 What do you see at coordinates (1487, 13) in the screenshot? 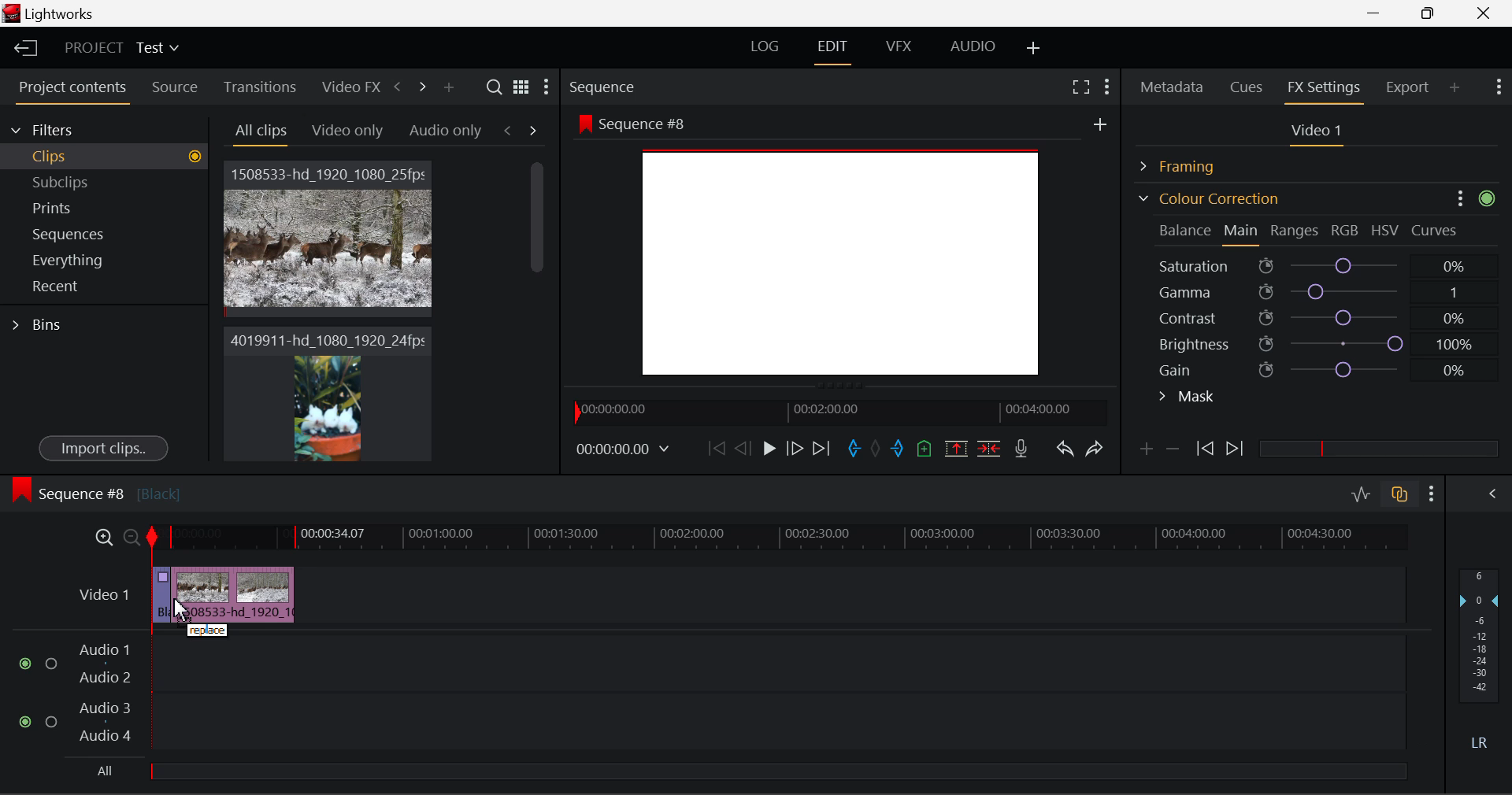
I see `Close` at bounding box center [1487, 13].